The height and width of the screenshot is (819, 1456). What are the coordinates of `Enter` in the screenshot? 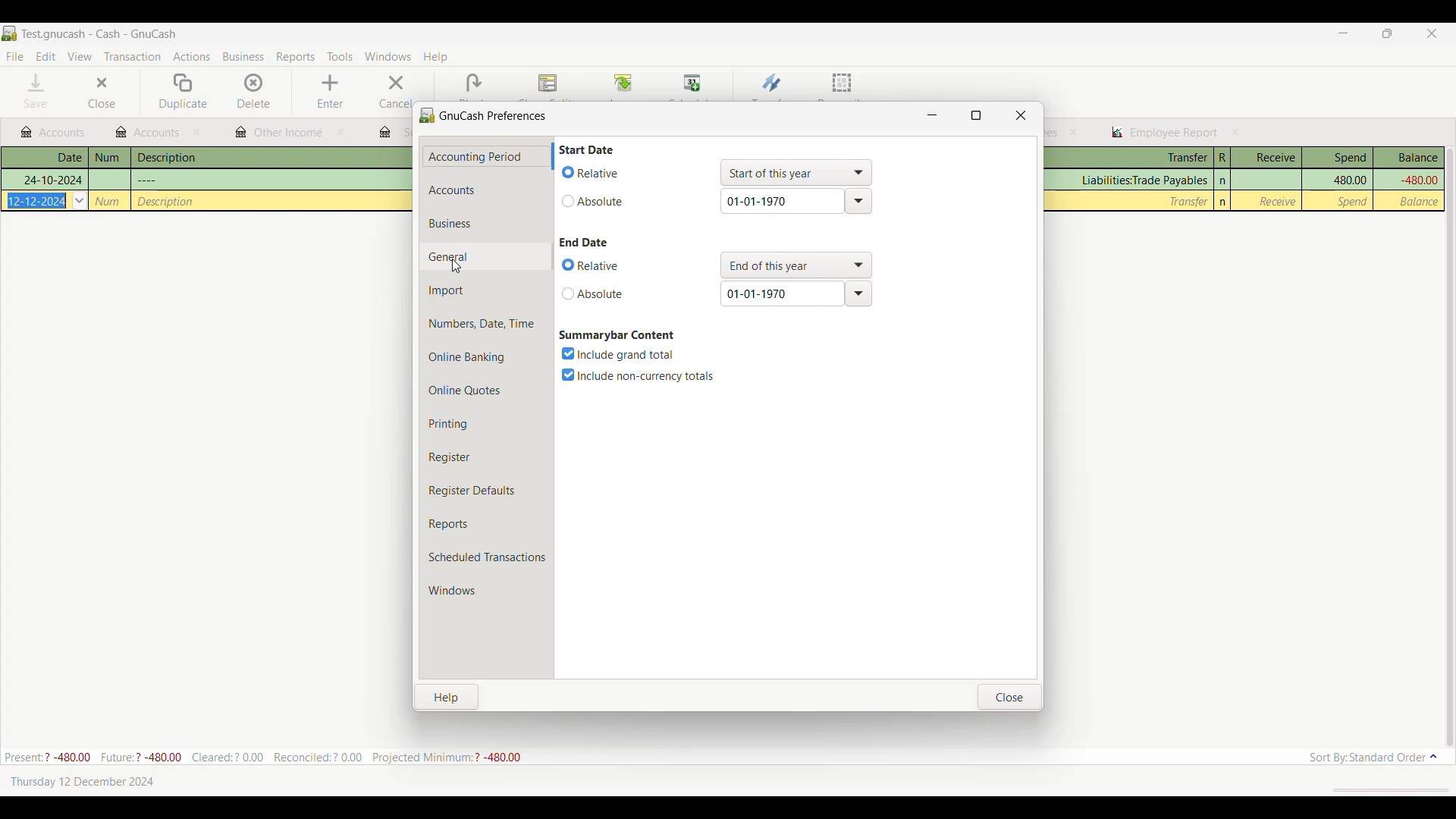 It's located at (329, 92).